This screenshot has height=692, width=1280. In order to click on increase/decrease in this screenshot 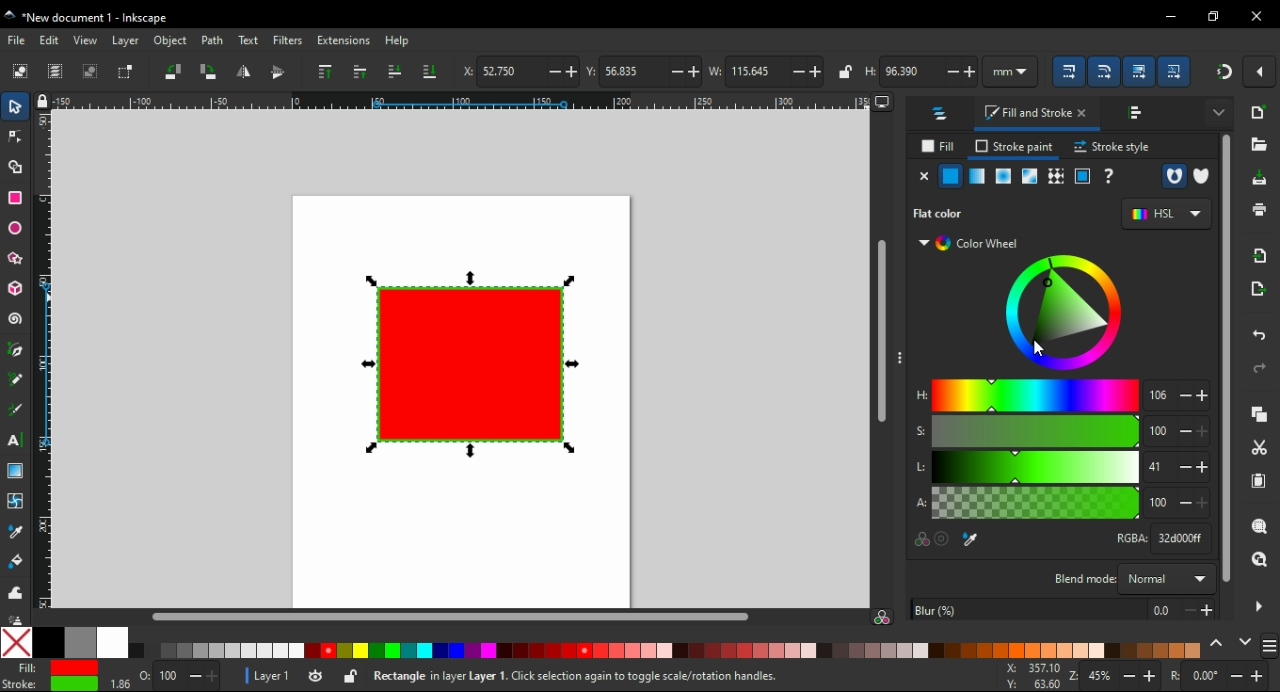, I will do `click(203, 676)`.